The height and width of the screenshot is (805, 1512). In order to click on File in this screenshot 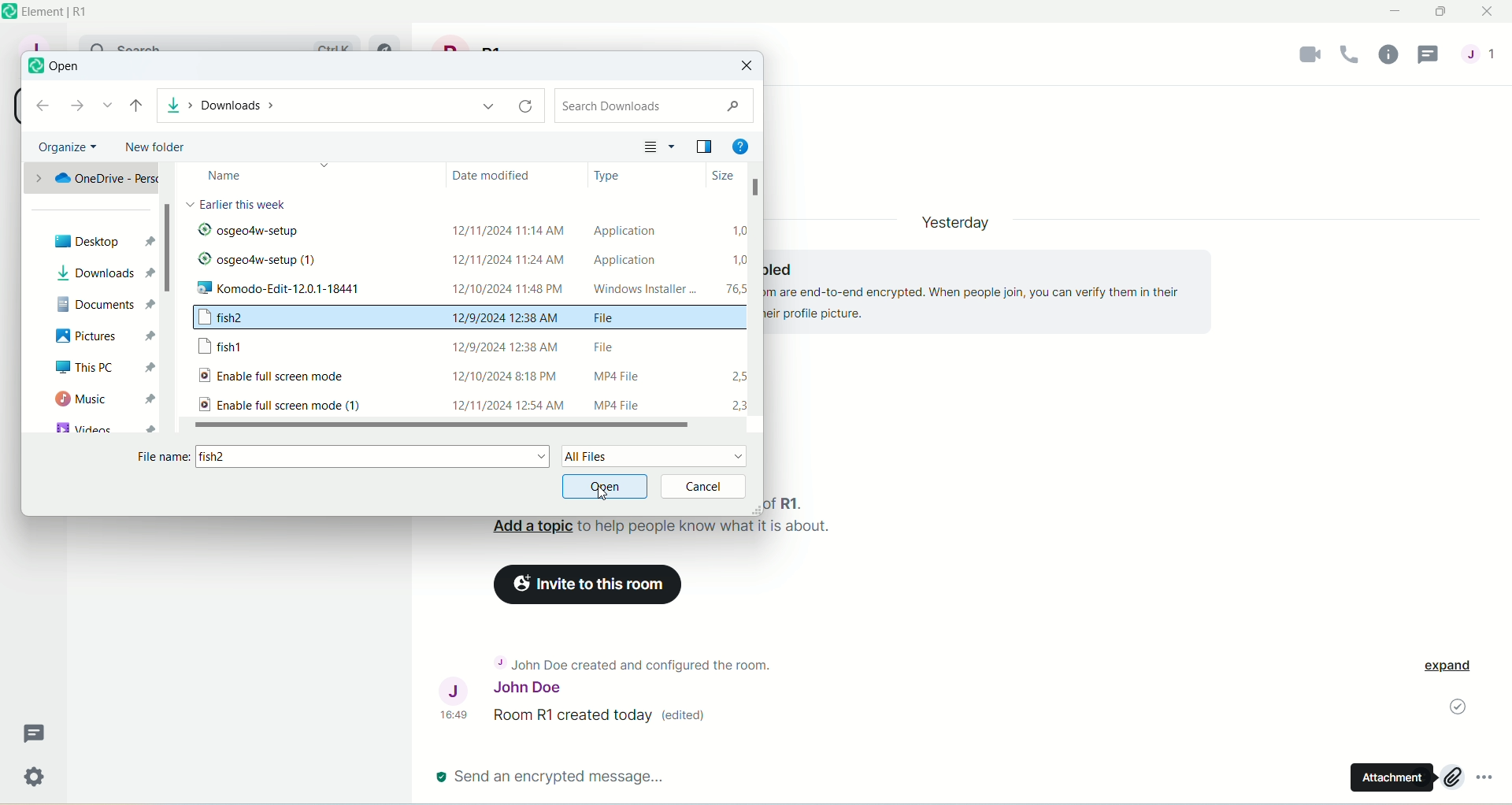, I will do `click(621, 321)`.